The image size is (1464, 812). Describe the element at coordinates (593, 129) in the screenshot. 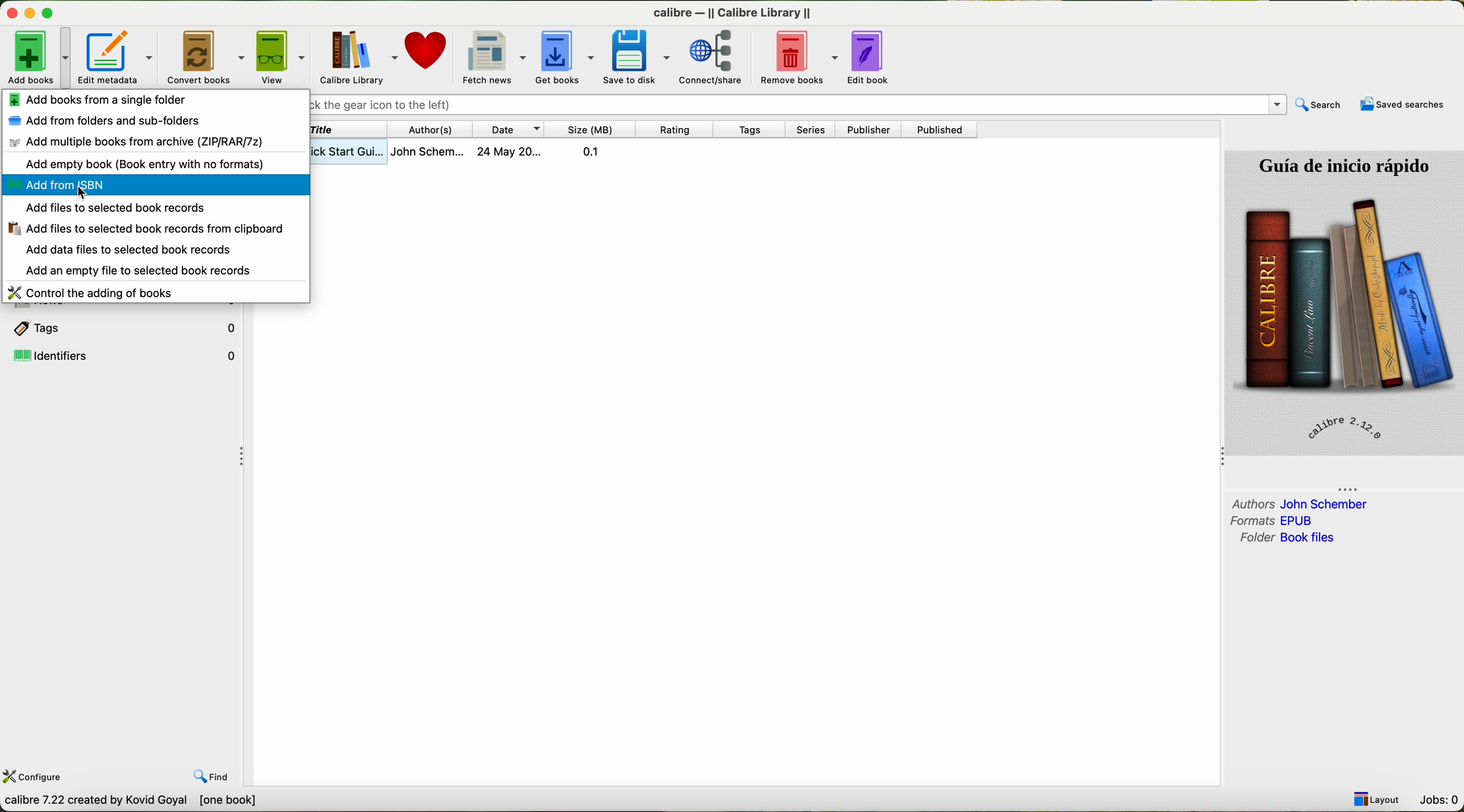

I see `size` at that location.